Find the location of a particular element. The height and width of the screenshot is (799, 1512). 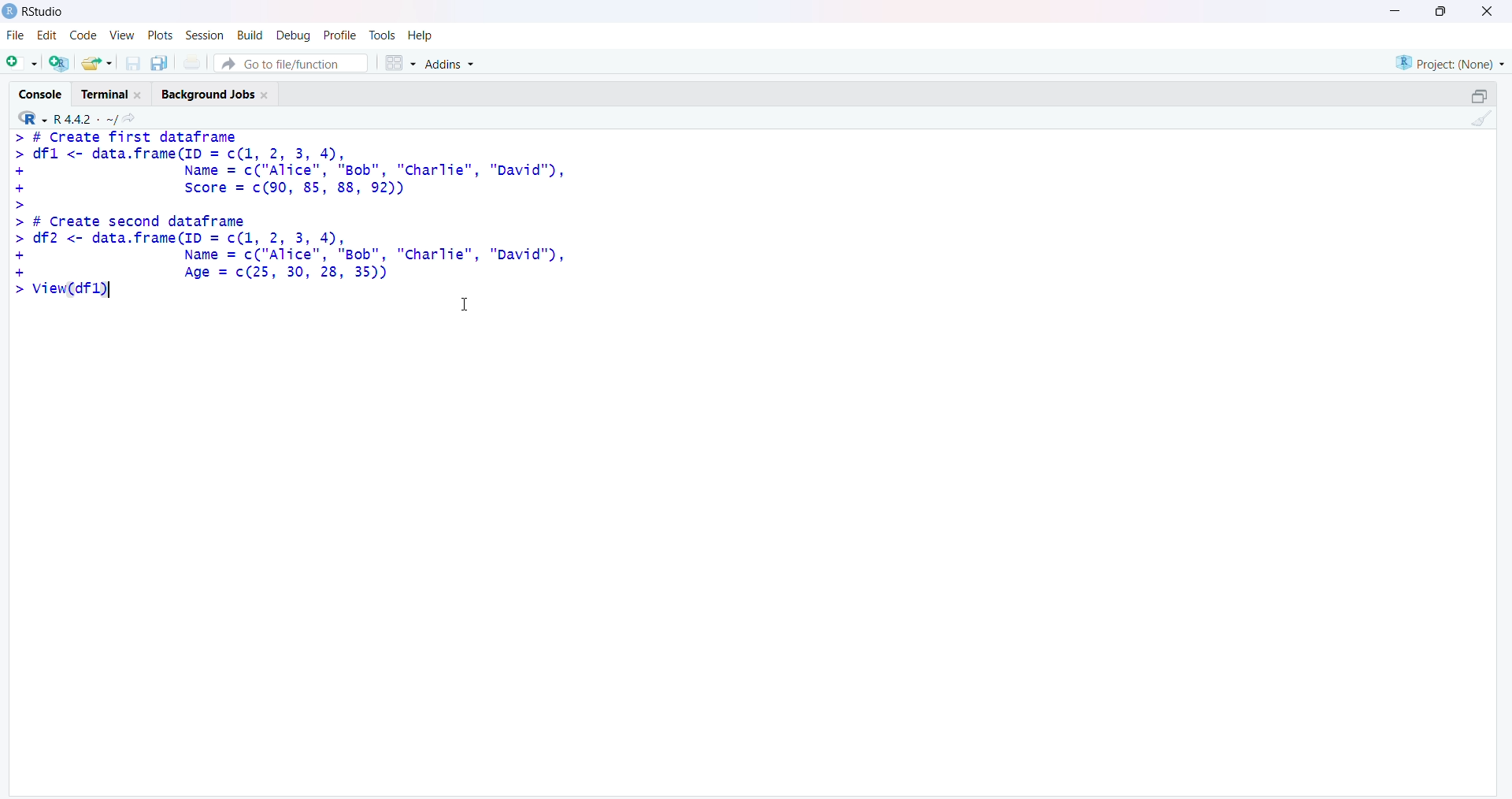

Go to file/function is located at coordinates (291, 63).